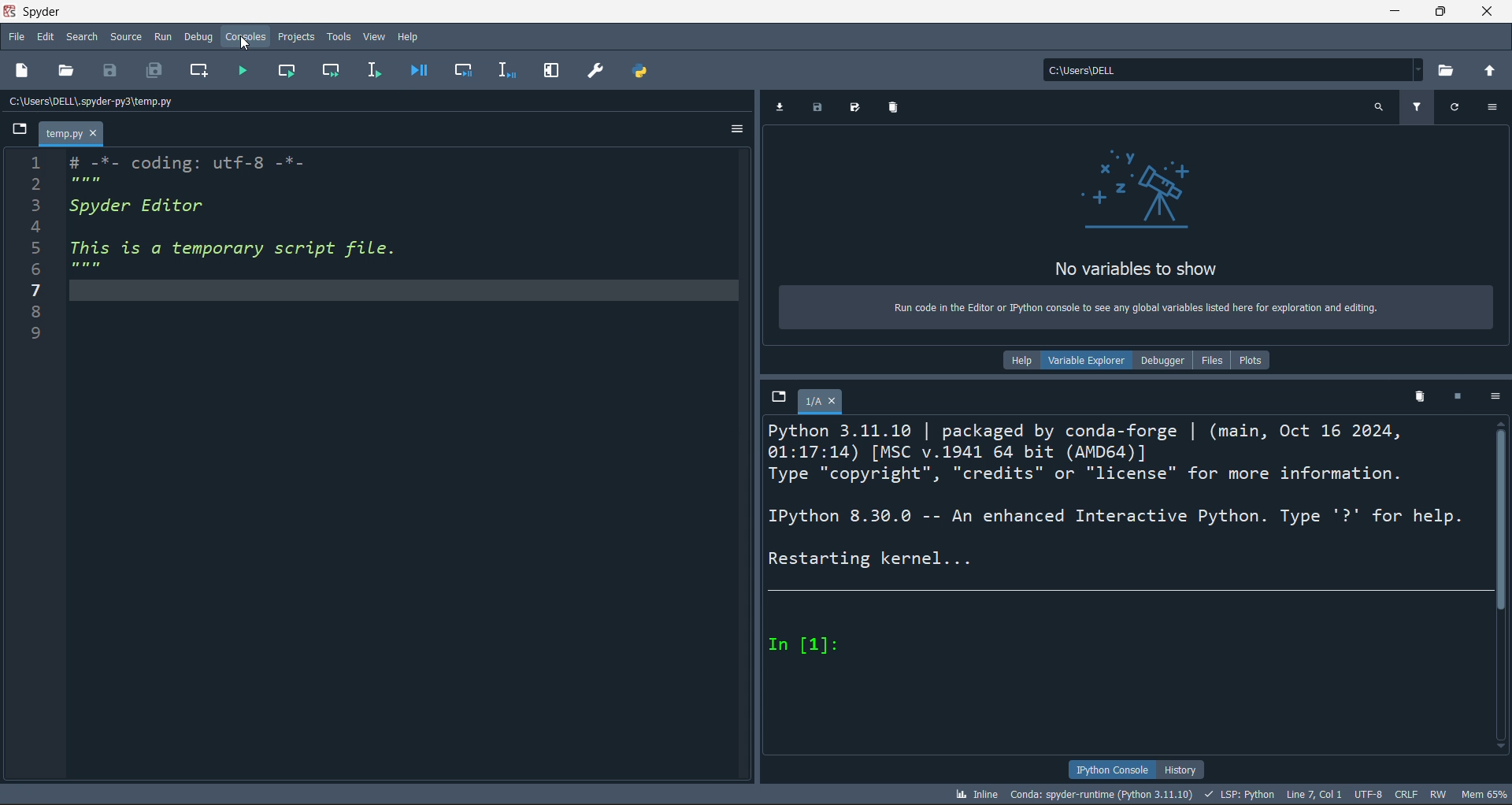 This screenshot has height=805, width=1512. I want to click on close, so click(1485, 12).